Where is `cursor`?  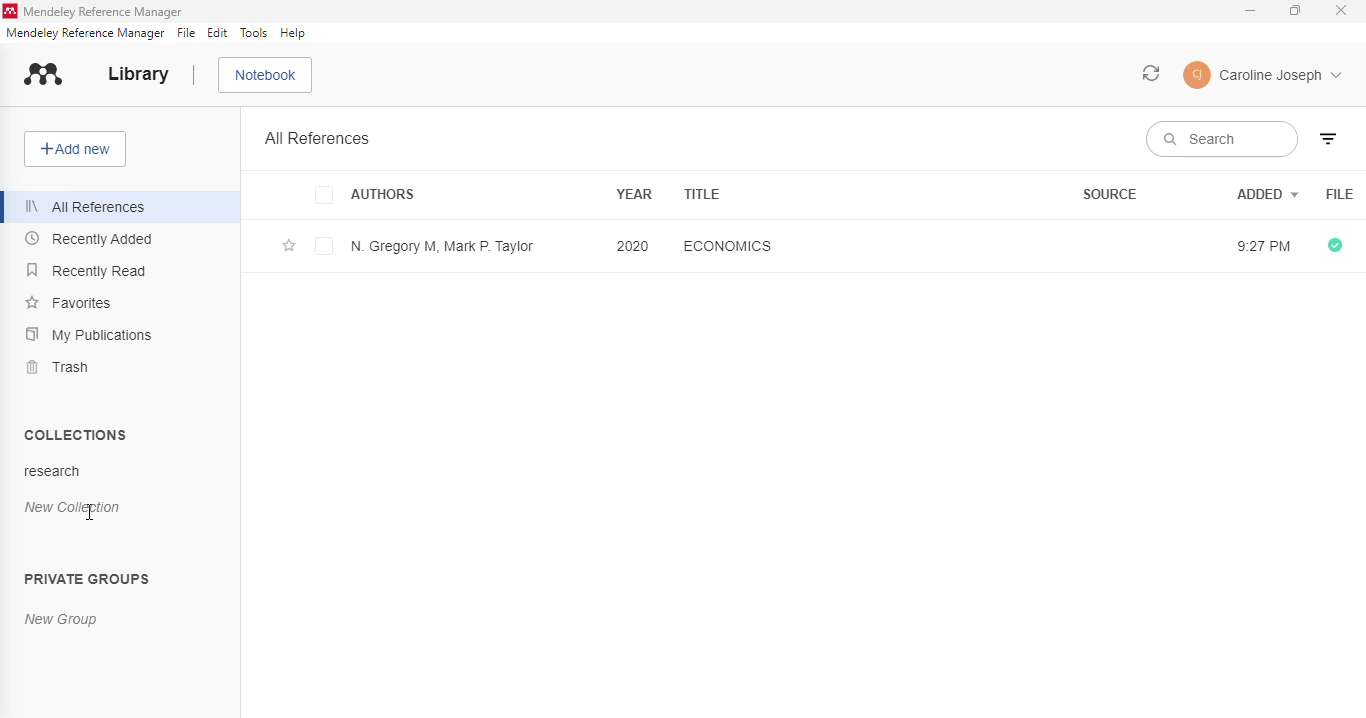
cursor is located at coordinates (90, 513).